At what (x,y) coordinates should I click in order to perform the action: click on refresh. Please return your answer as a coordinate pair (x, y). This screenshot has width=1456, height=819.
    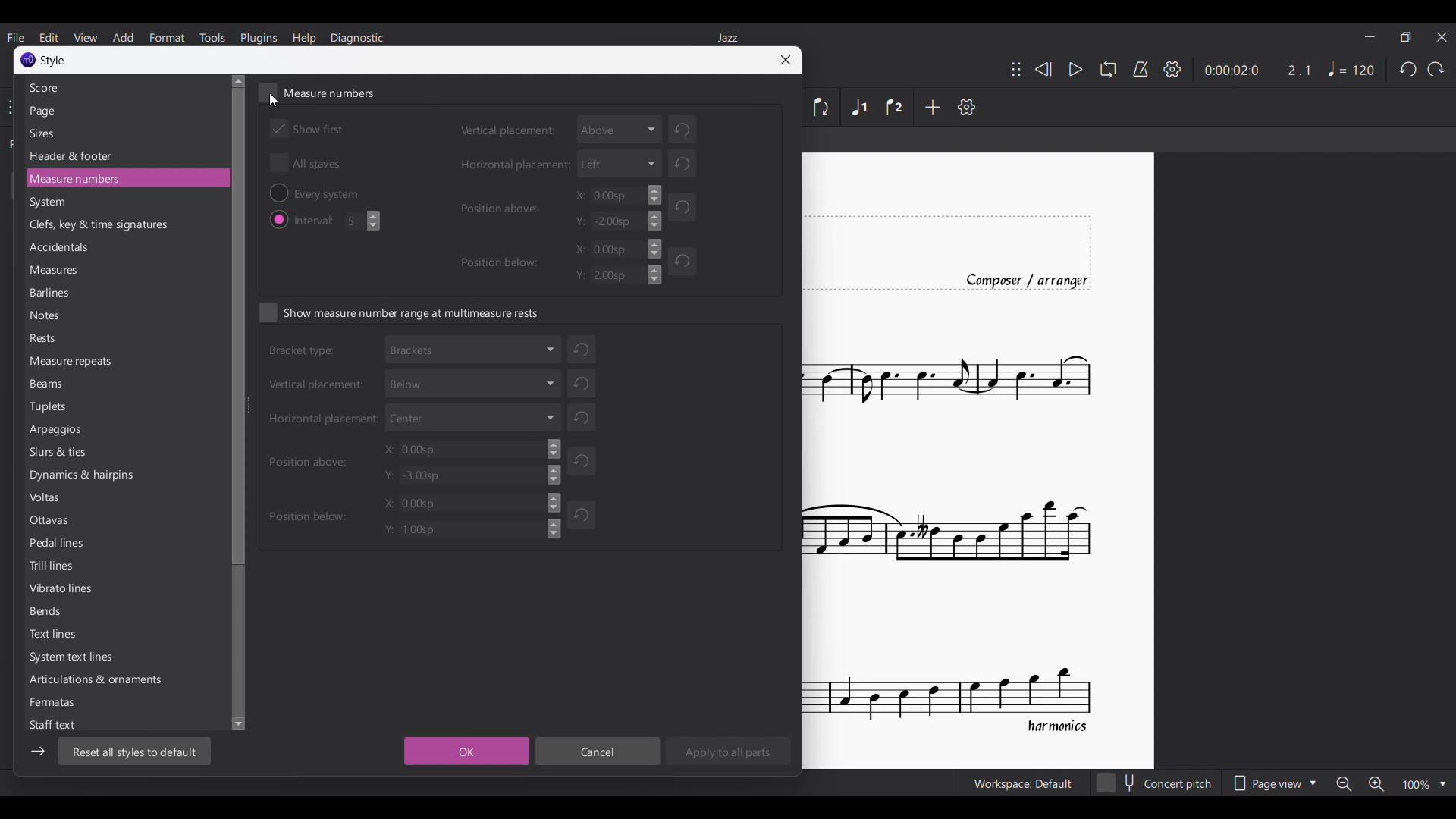
    Looking at the image, I should click on (582, 382).